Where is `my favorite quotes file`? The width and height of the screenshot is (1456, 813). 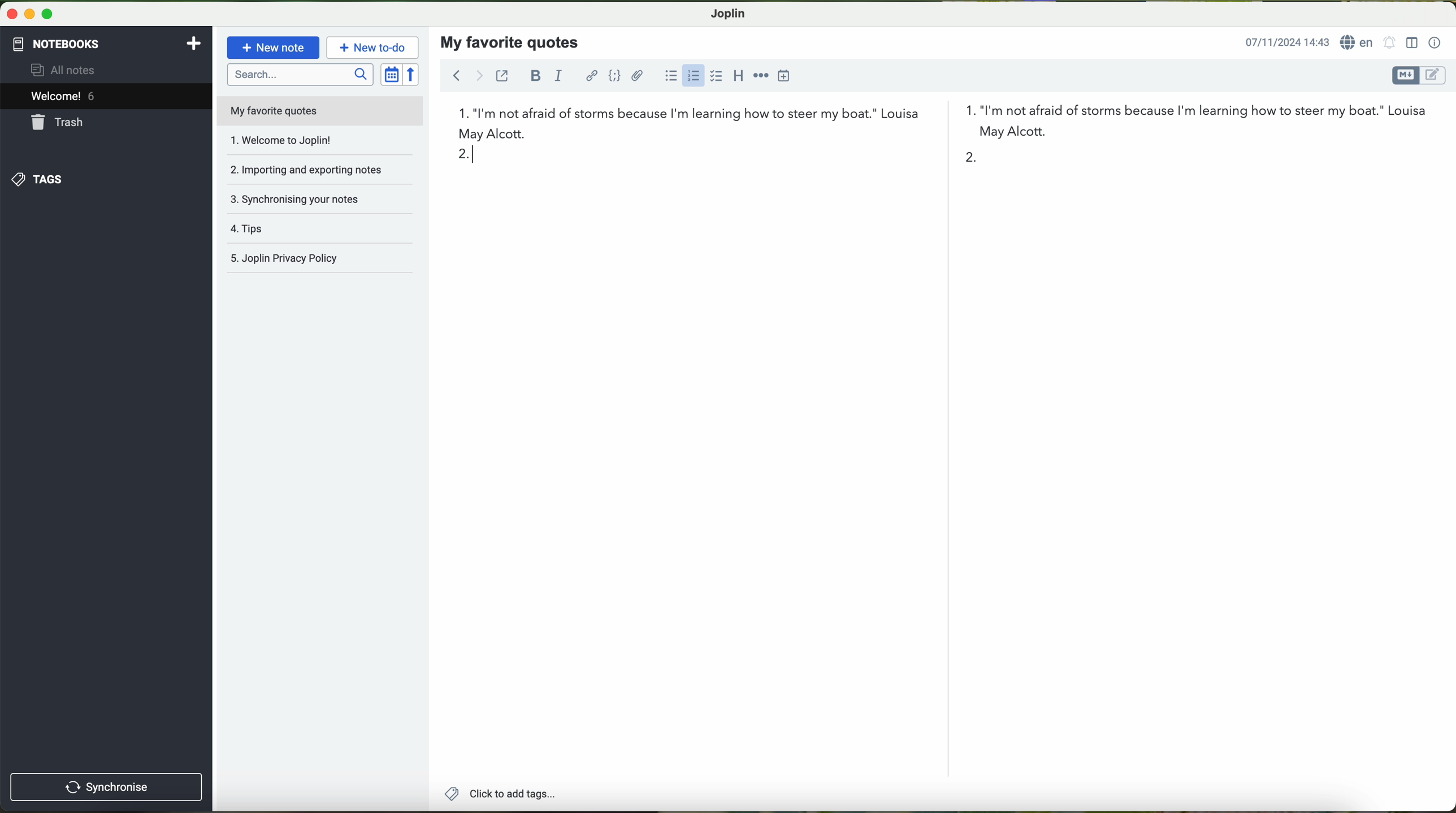 my favorite quotes file is located at coordinates (276, 111).